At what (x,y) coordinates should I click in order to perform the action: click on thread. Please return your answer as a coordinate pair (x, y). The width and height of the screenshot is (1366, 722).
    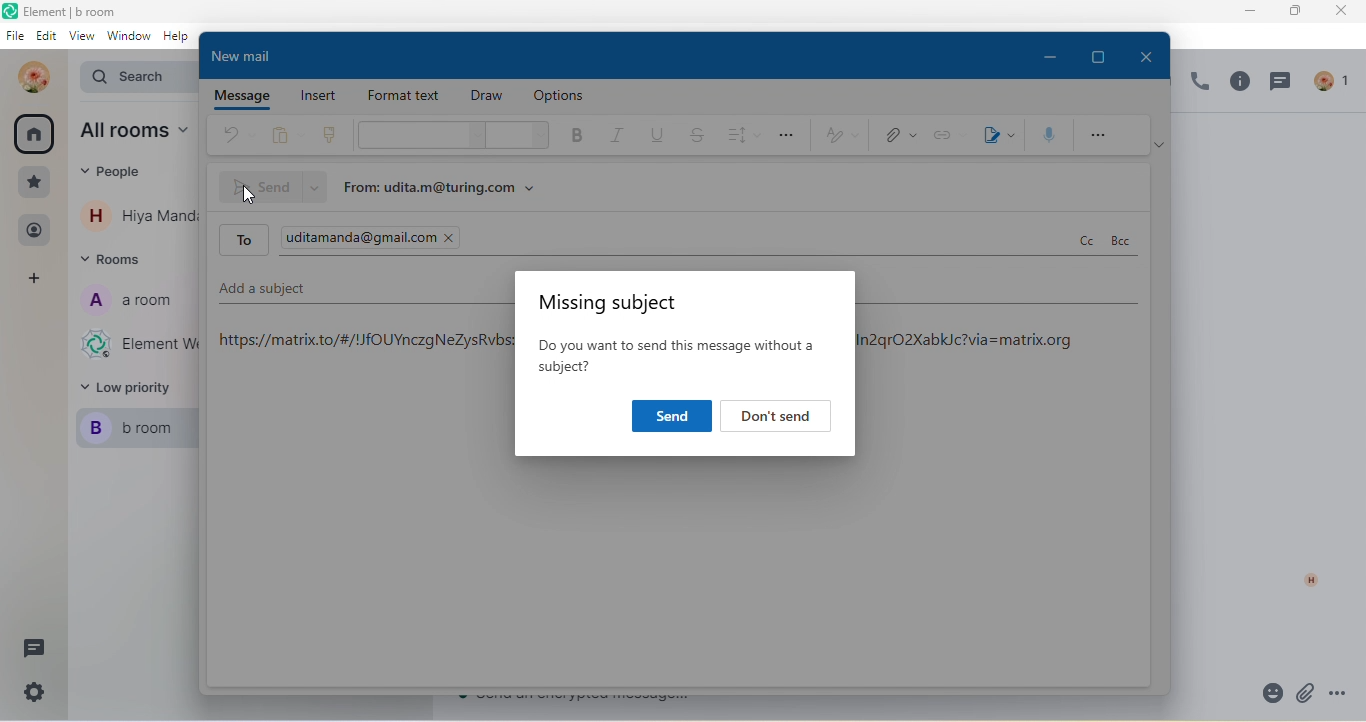
    Looking at the image, I should click on (33, 649).